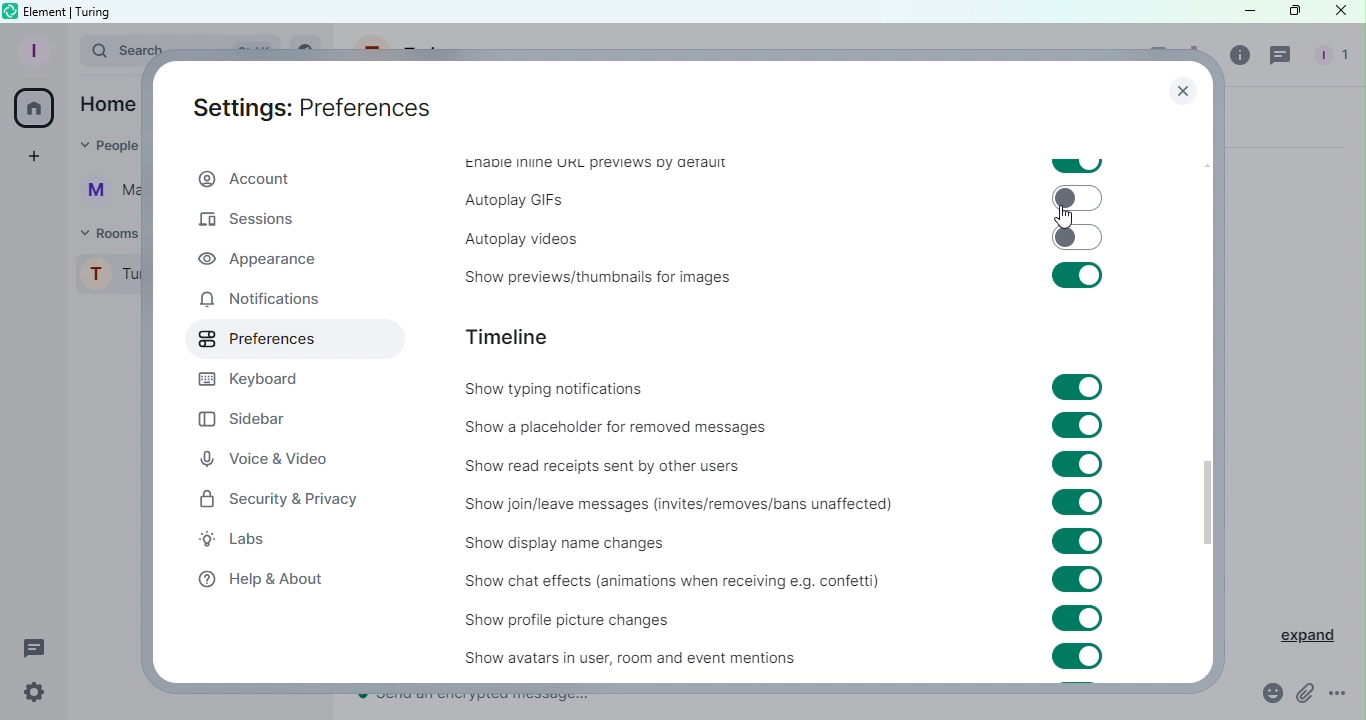  I want to click on Room info, so click(1241, 60).